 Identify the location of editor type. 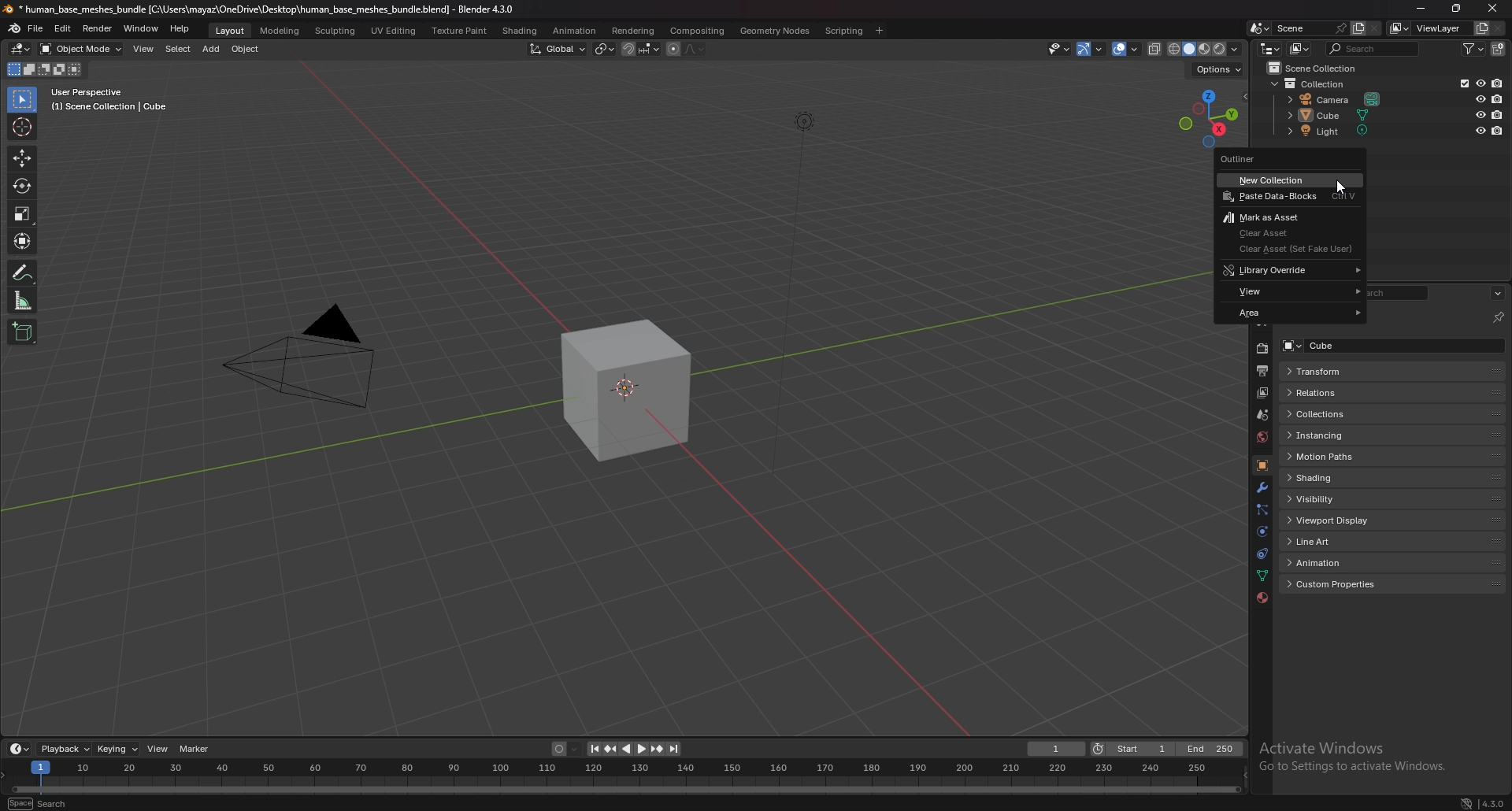
(1270, 48).